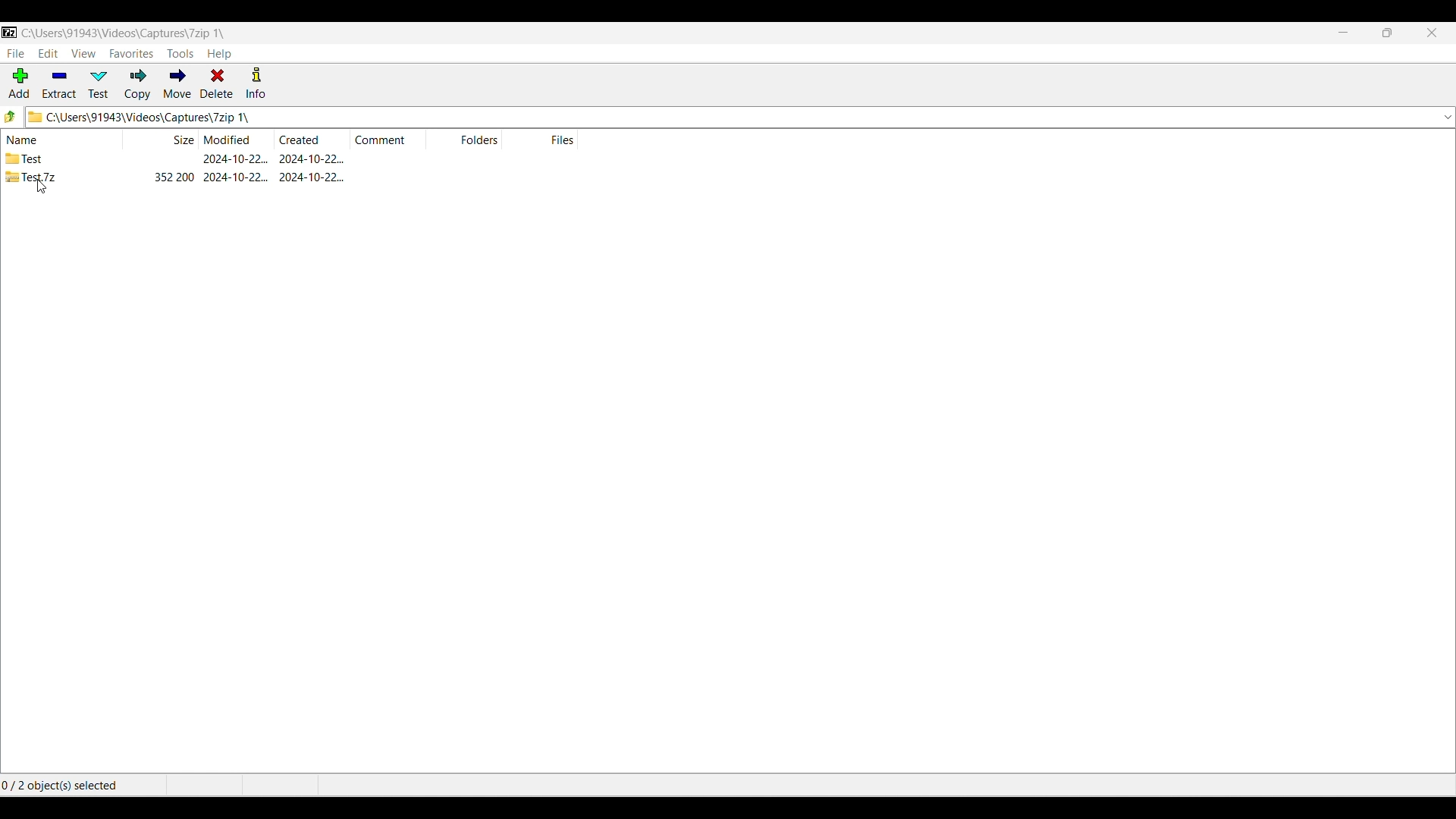 The image size is (1456, 819). I want to click on Delete, so click(217, 83).